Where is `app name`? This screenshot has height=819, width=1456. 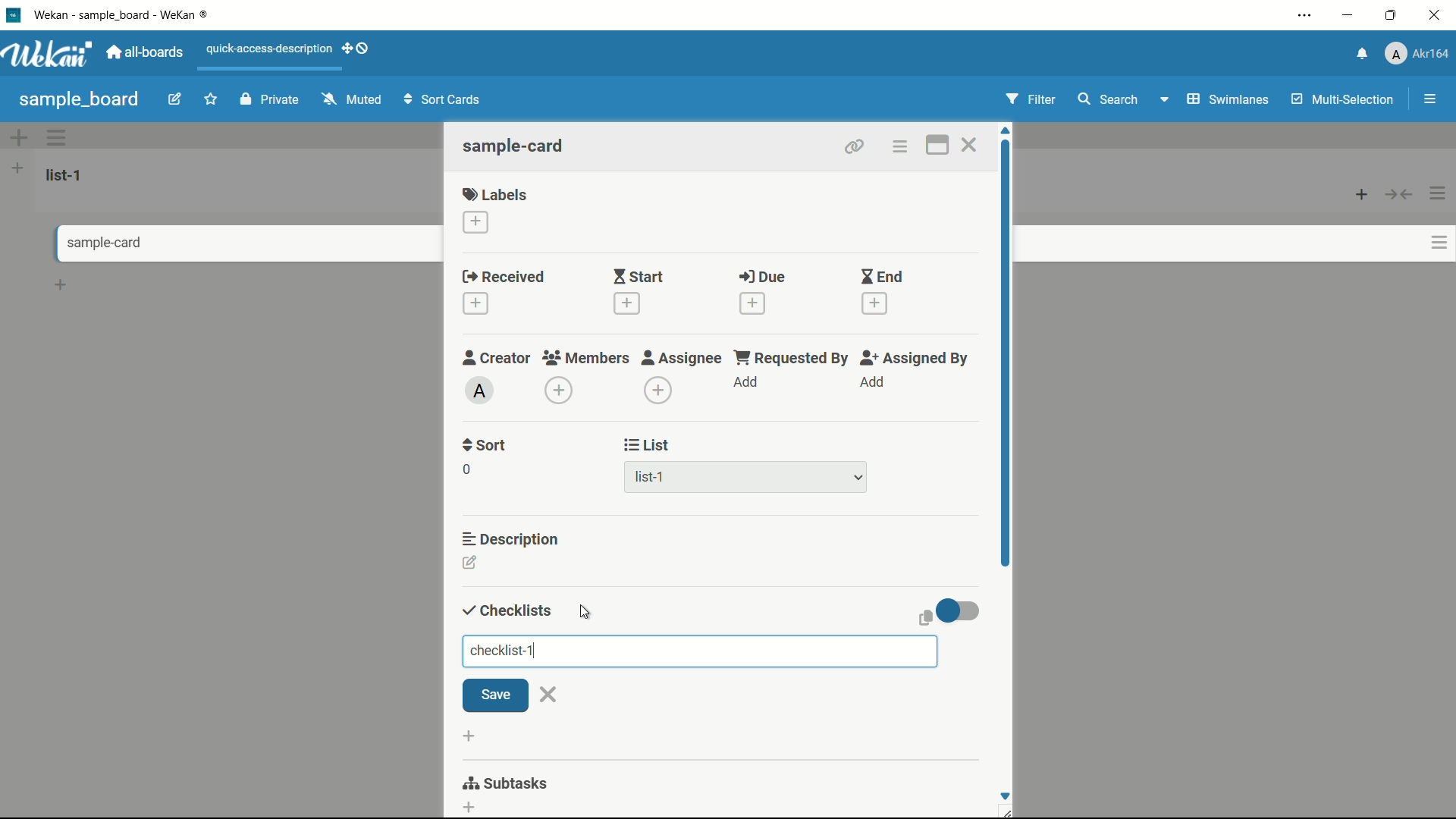
app name is located at coordinates (124, 14).